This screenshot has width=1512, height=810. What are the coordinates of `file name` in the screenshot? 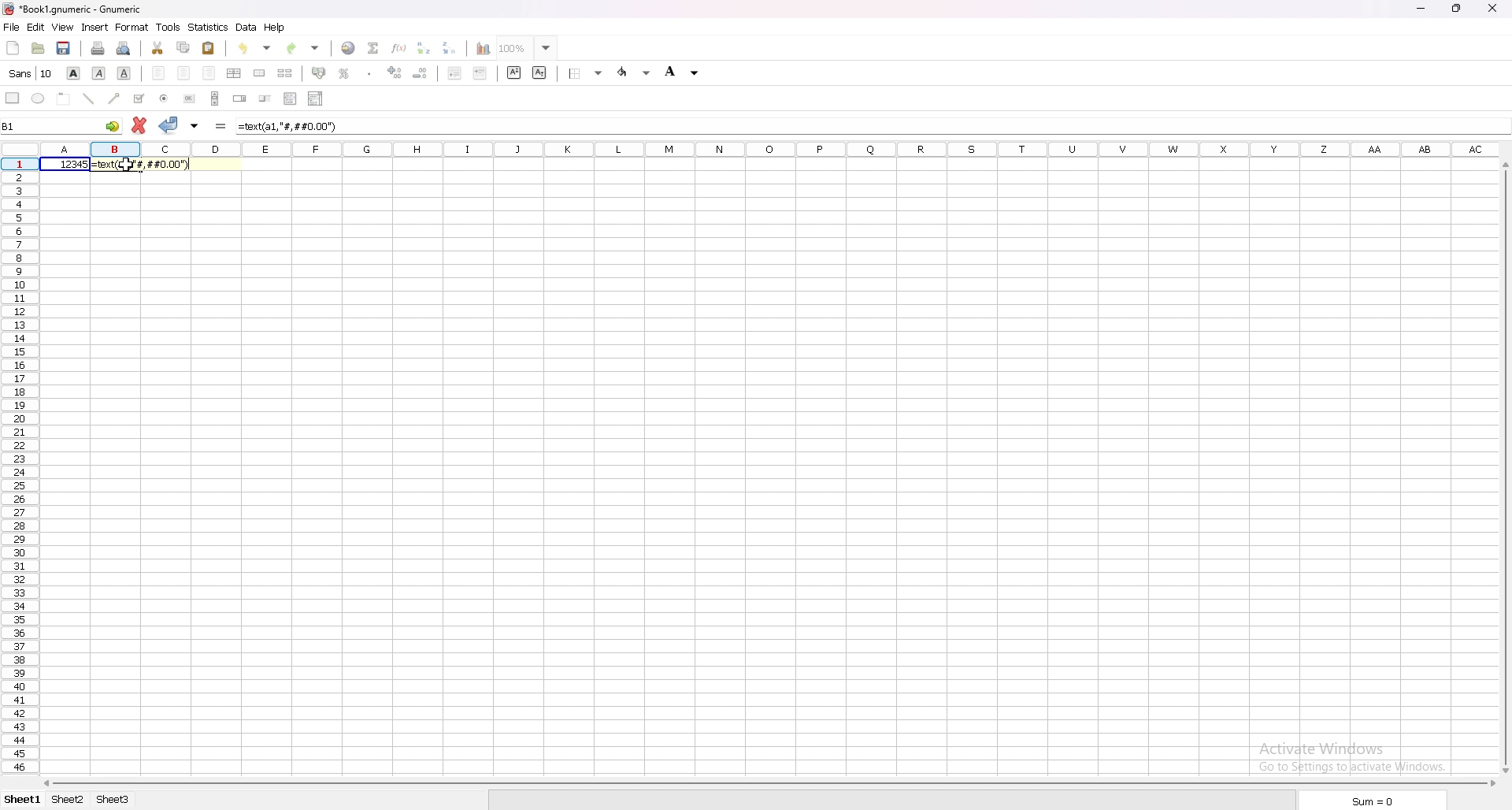 It's located at (72, 10).